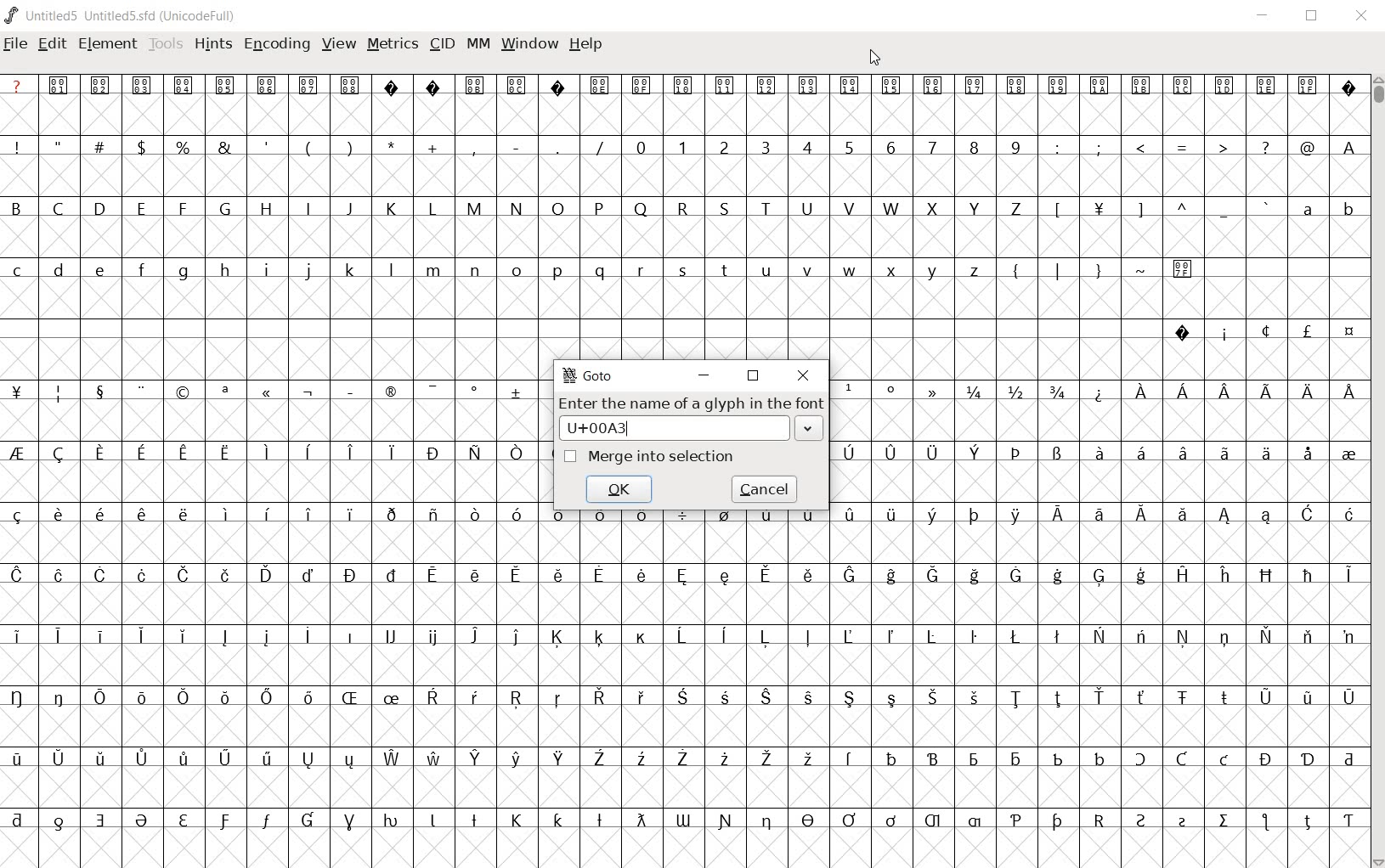 Image resolution: width=1385 pixels, height=868 pixels. What do you see at coordinates (1263, 697) in the screenshot?
I see `Symbol` at bounding box center [1263, 697].